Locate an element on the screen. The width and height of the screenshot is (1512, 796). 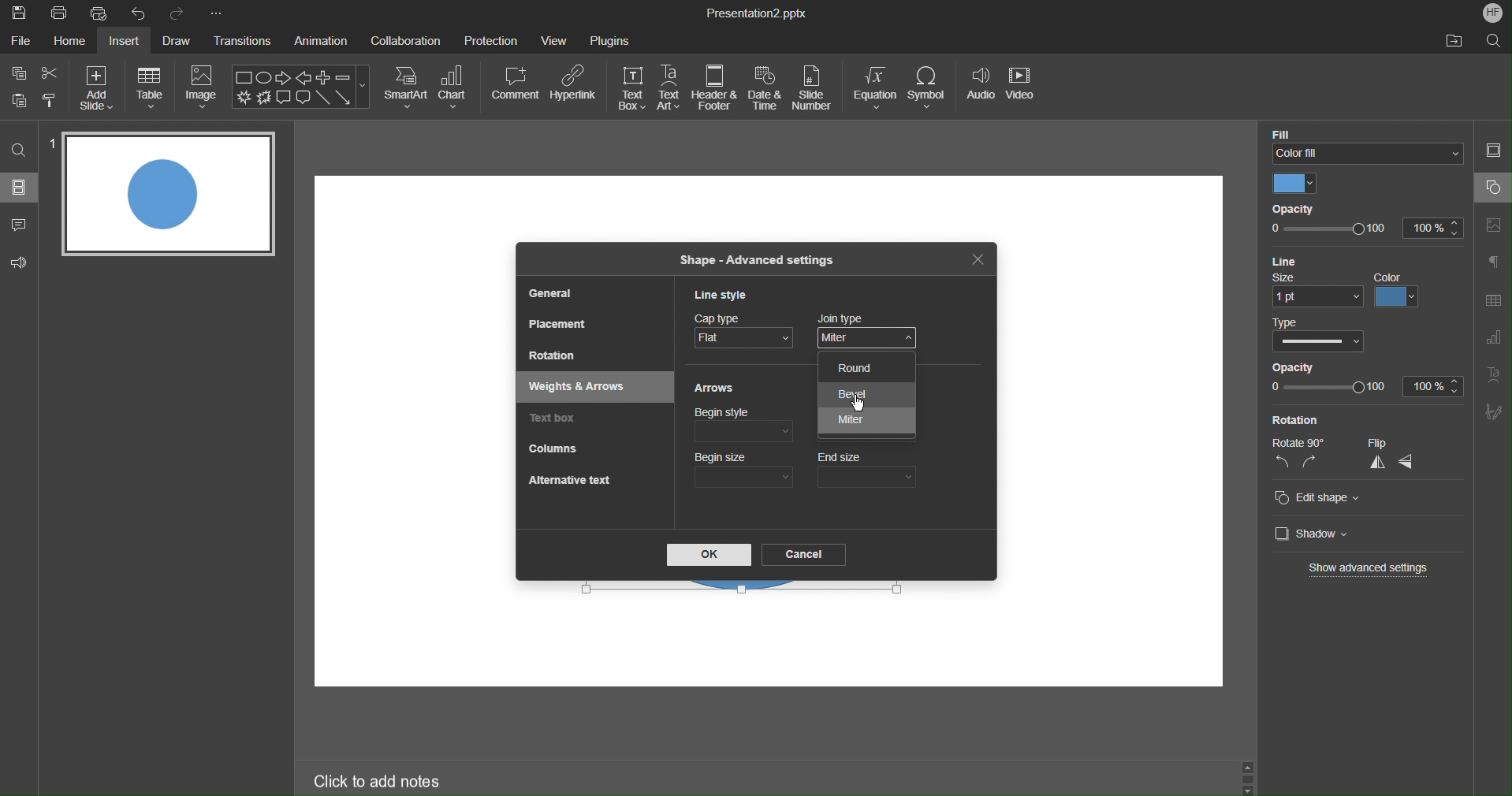
Undo is located at coordinates (142, 13).